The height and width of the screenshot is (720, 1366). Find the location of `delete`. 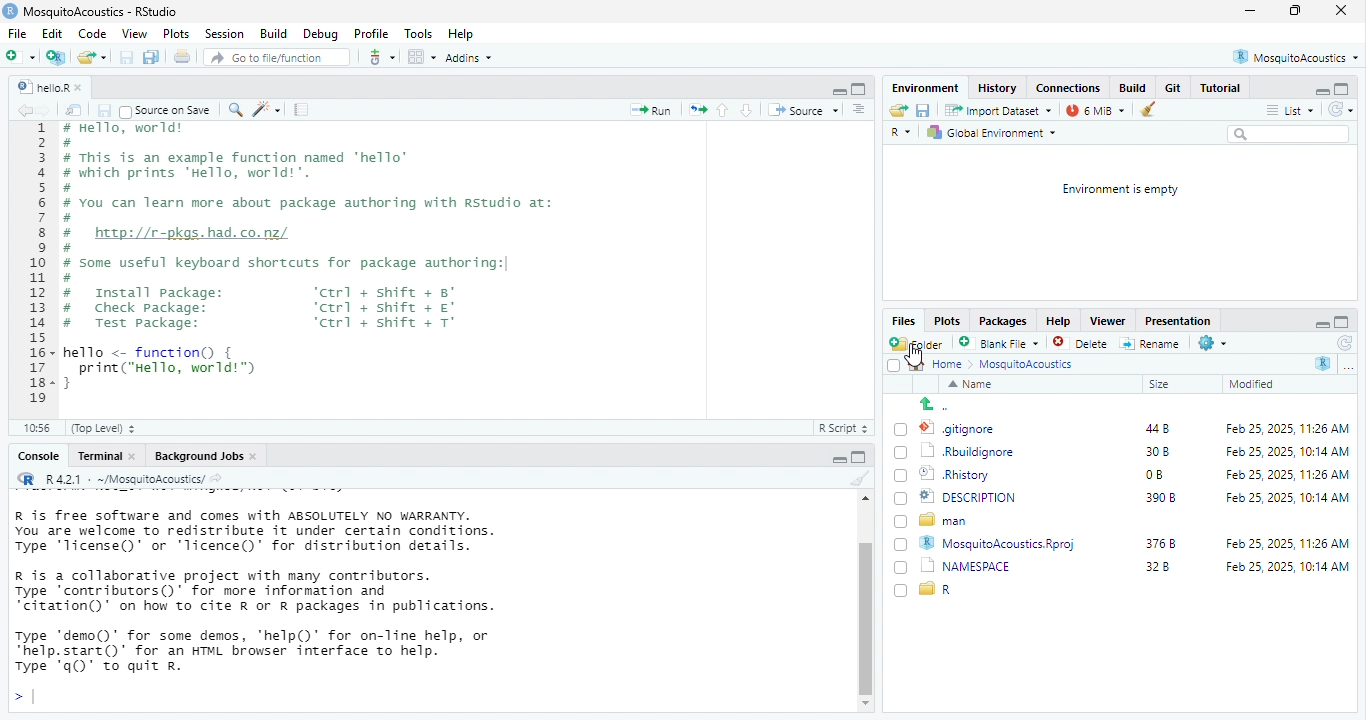

delete is located at coordinates (1083, 344).